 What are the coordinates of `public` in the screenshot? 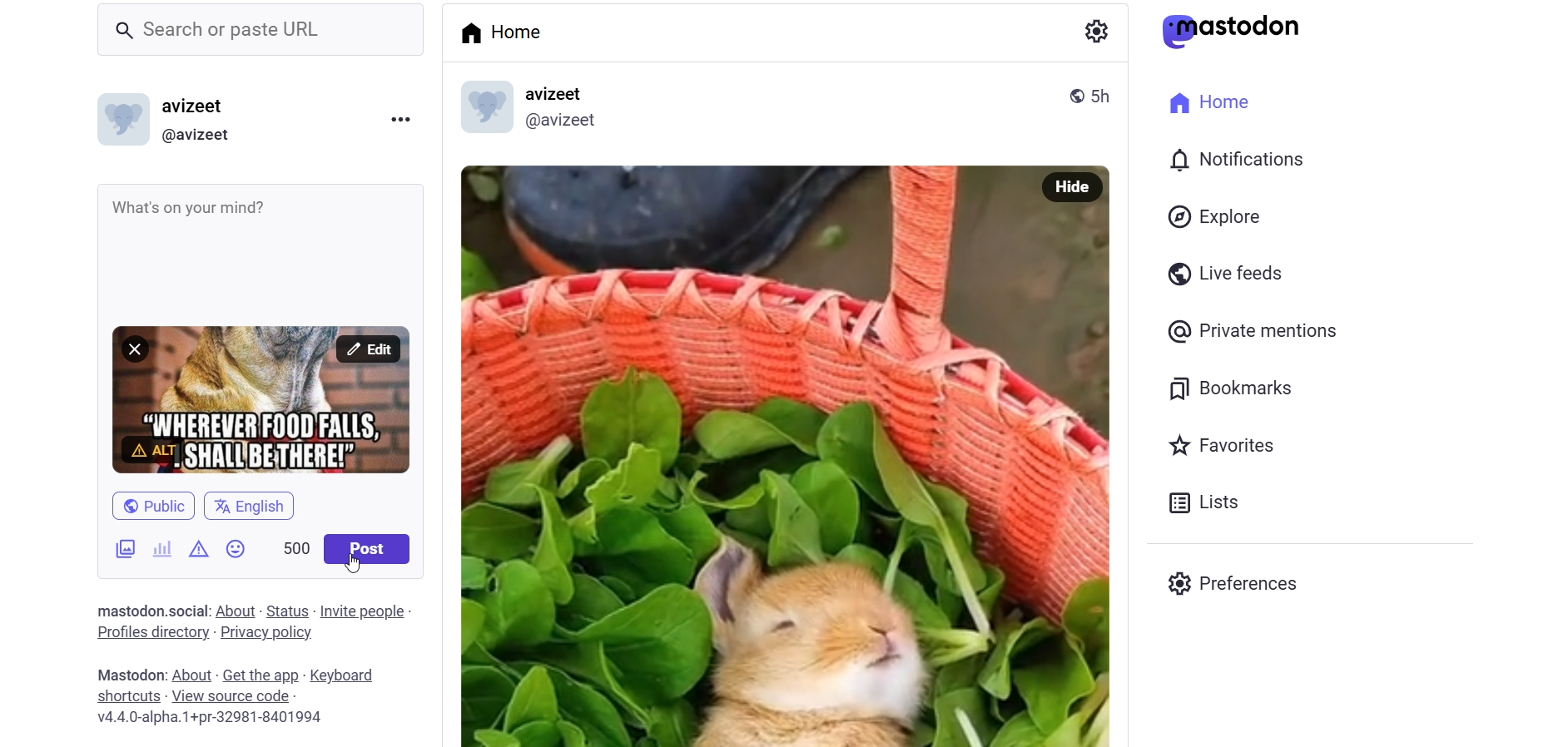 It's located at (155, 497).